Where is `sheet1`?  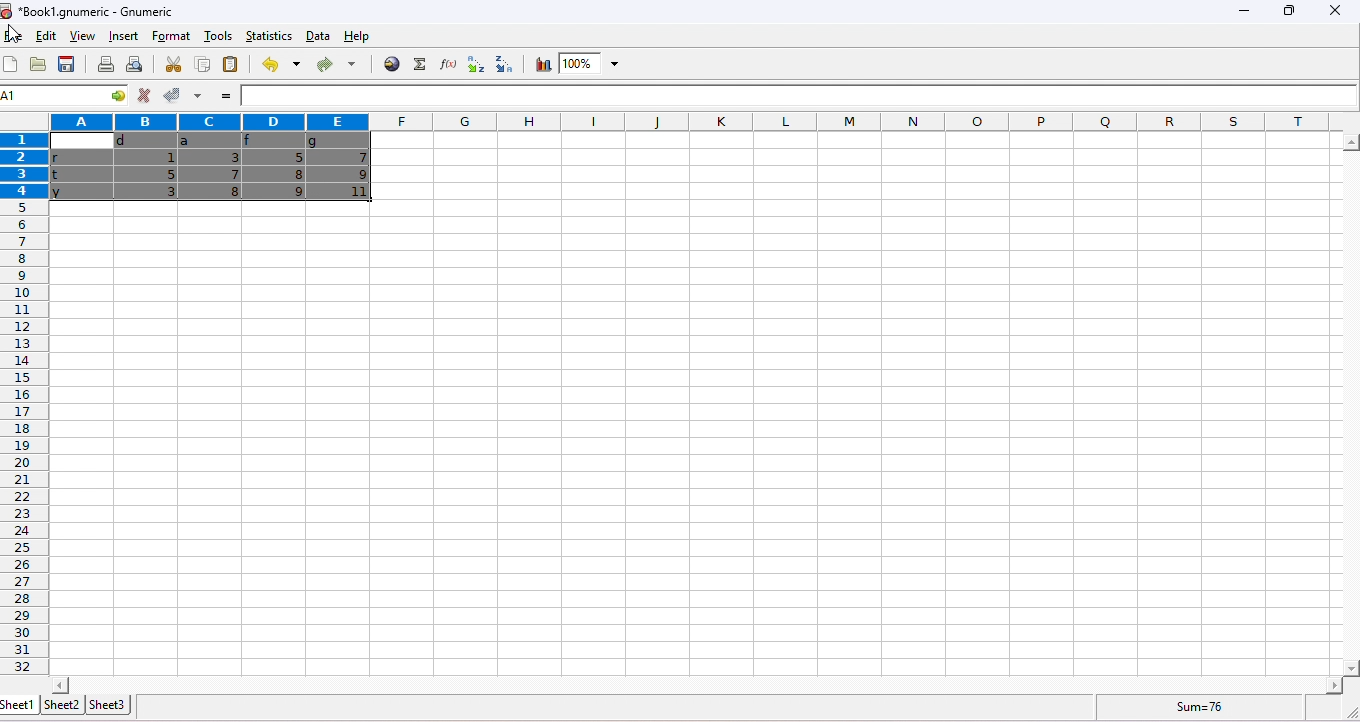 sheet1 is located at coordinates (19, 705).